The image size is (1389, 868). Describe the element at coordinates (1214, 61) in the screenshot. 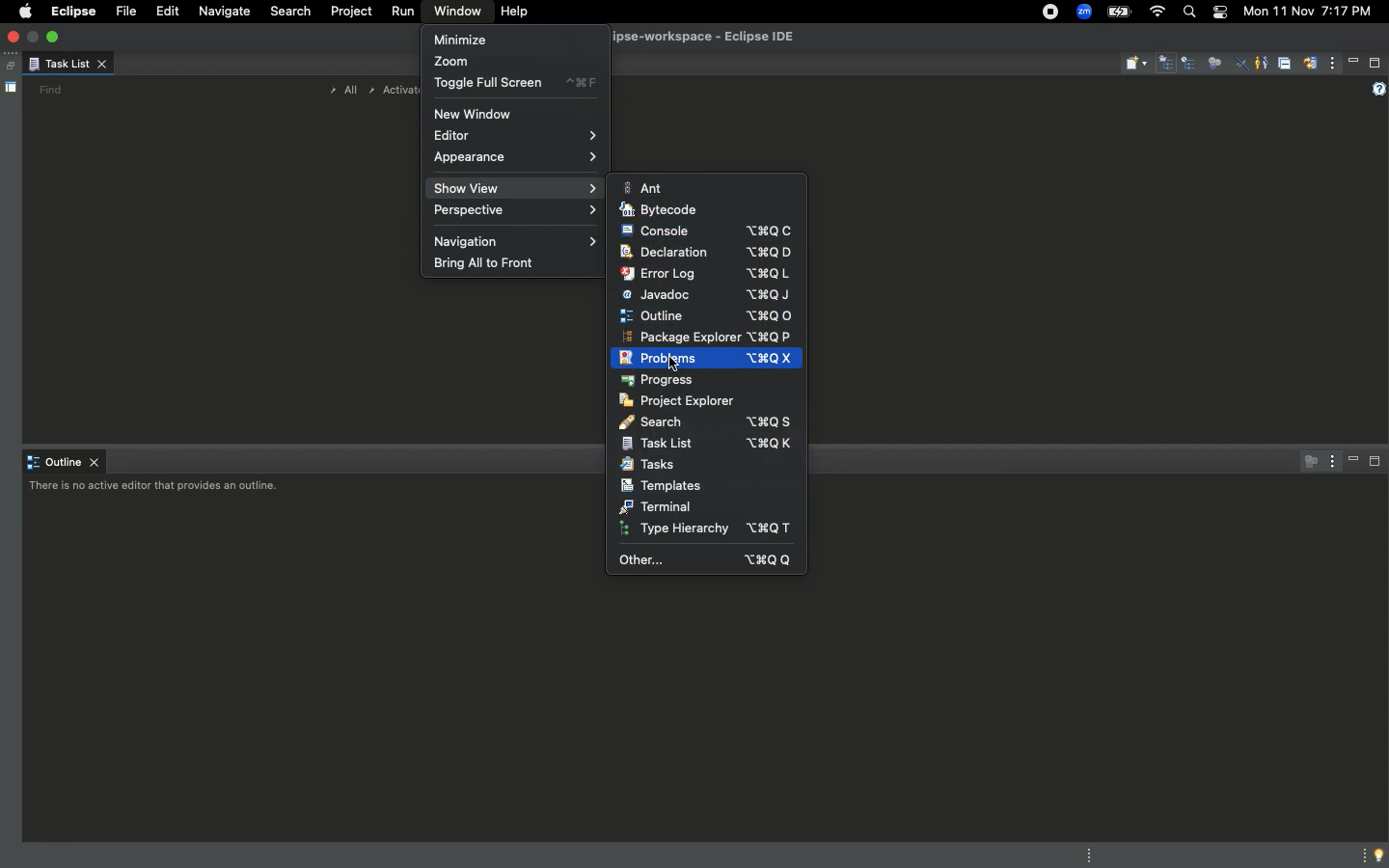

I see `Focus on workweek` at that location.